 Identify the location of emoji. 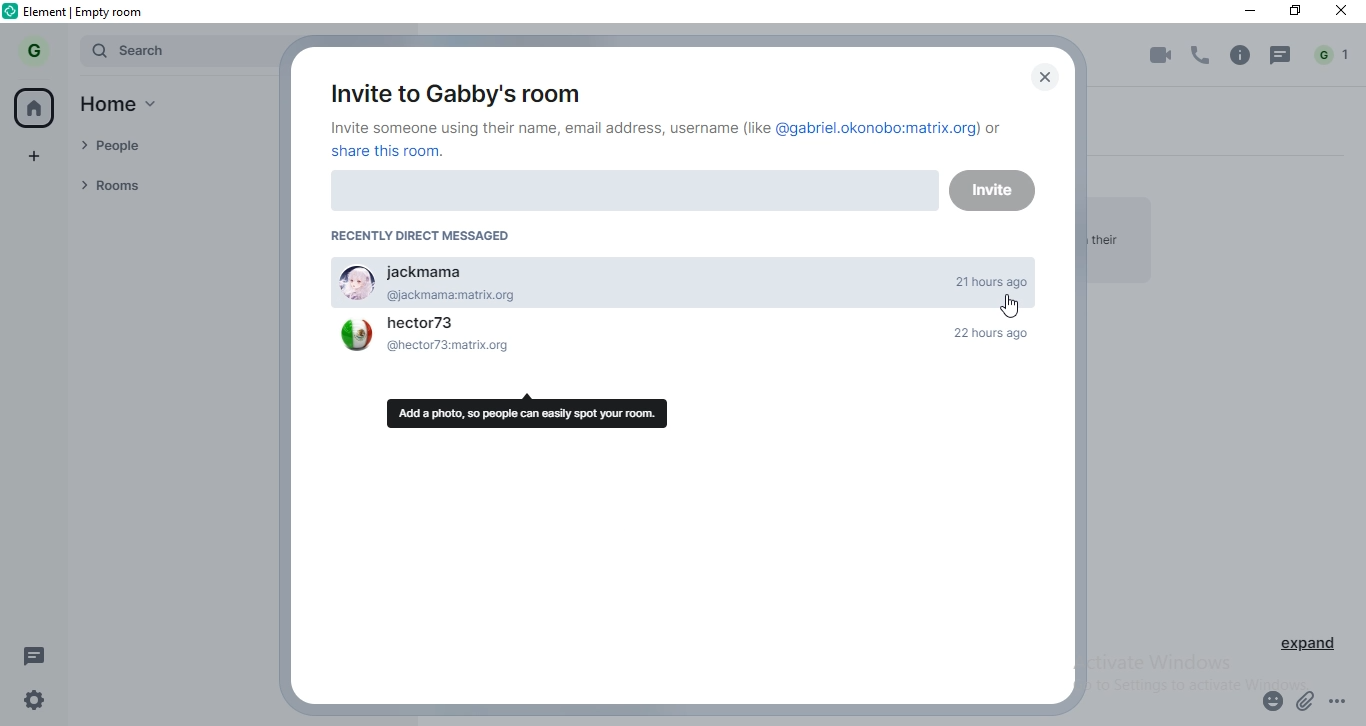
(1269, 704).